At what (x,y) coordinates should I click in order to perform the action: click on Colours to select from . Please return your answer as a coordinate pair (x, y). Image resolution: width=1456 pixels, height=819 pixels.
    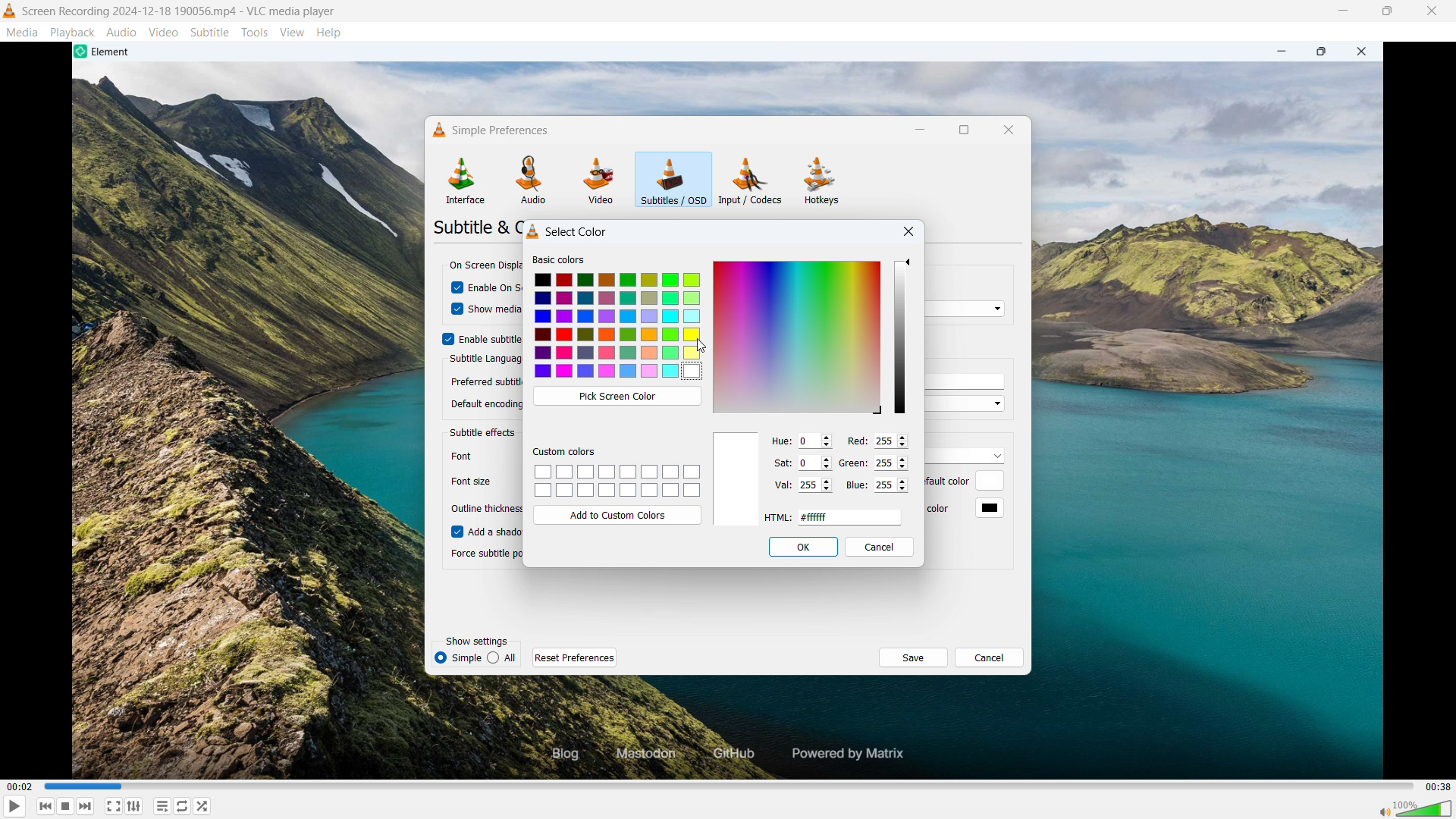
    Looking at the image, I should click on (619, 327).